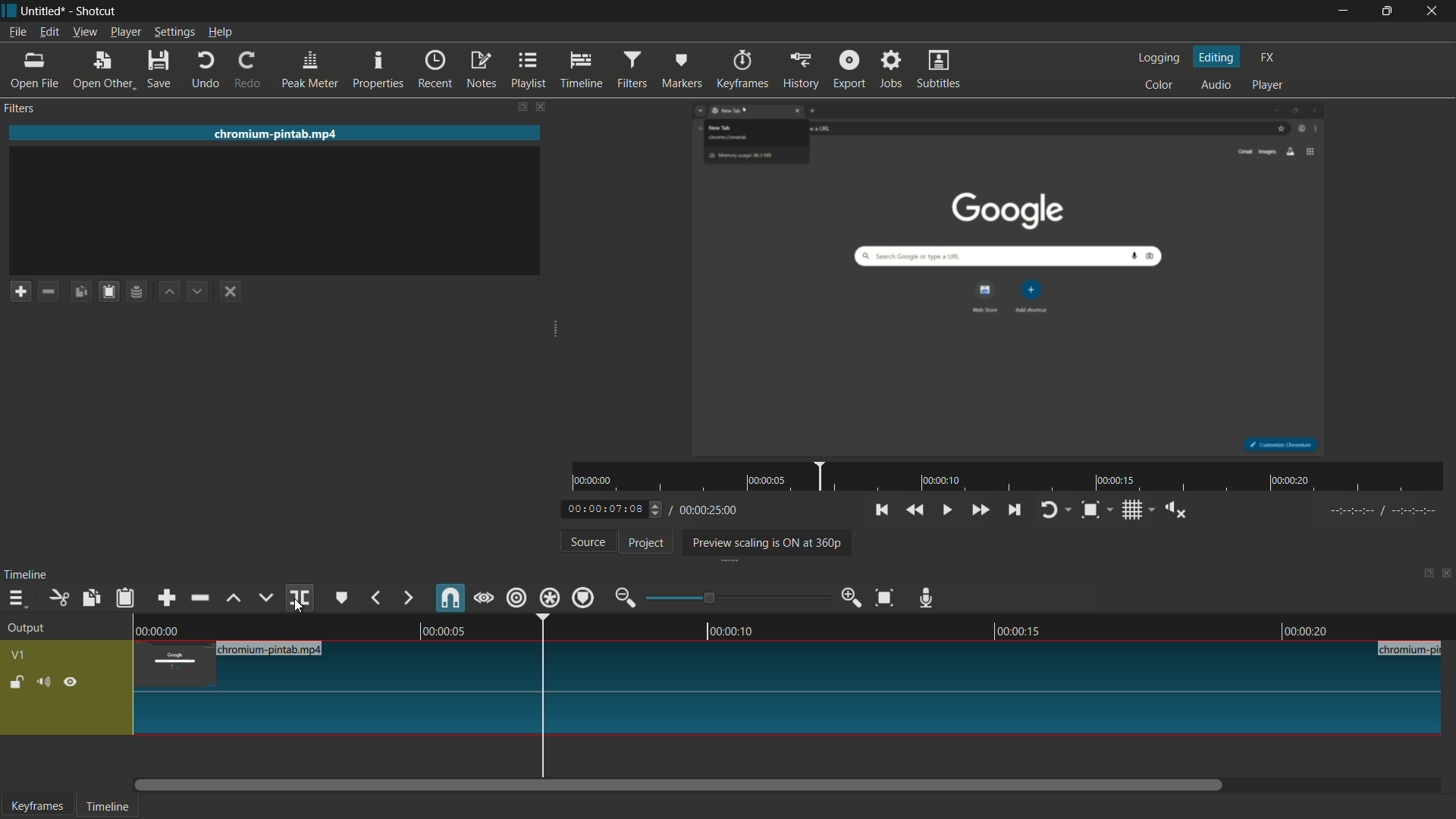 The width and height of the screenshot is (1456, 819). Describe the element at coordinates (435, 69) in the screenshot. I see `recent` at that location.